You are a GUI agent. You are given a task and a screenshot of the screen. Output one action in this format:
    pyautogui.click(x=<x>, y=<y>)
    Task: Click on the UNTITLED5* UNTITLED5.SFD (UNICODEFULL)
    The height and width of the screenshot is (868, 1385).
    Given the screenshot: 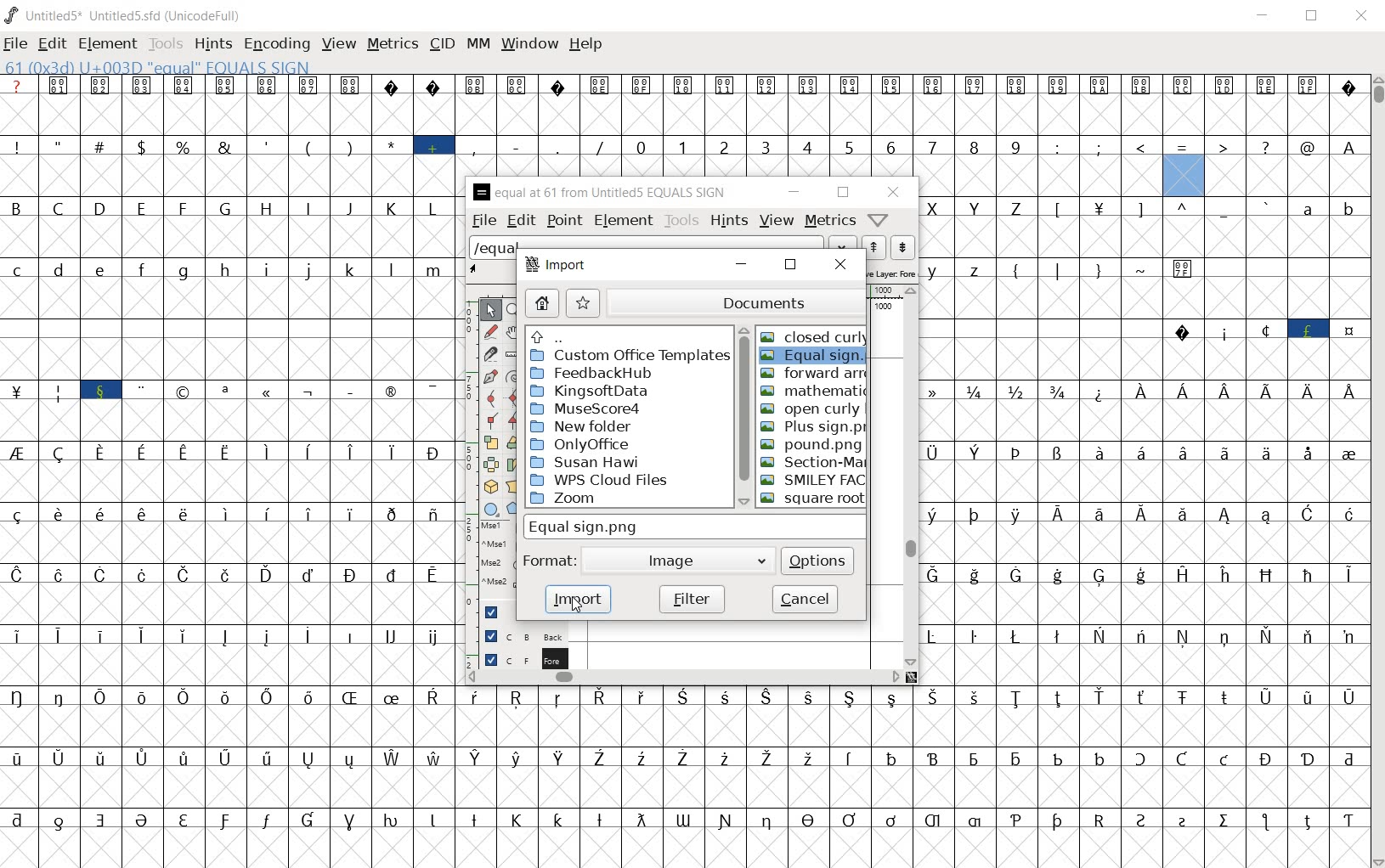 What is the action you would take?
    pyautogui.click(x=127, y=14)
    